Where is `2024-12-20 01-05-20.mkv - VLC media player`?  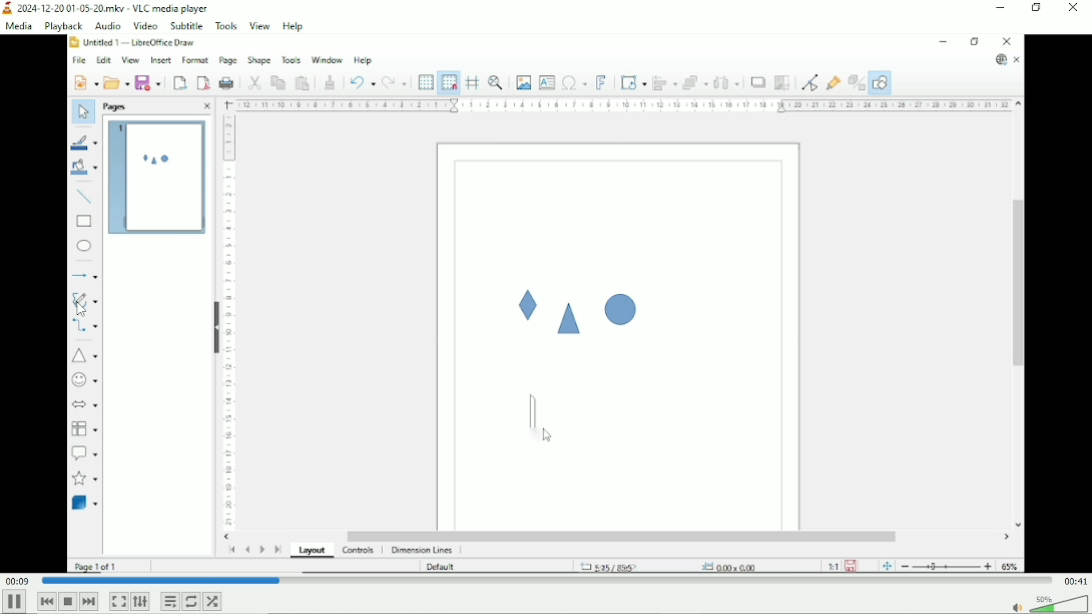
2024-12-20 01-05-20.mkv - VLC media player is located at coordinates (107, 8).